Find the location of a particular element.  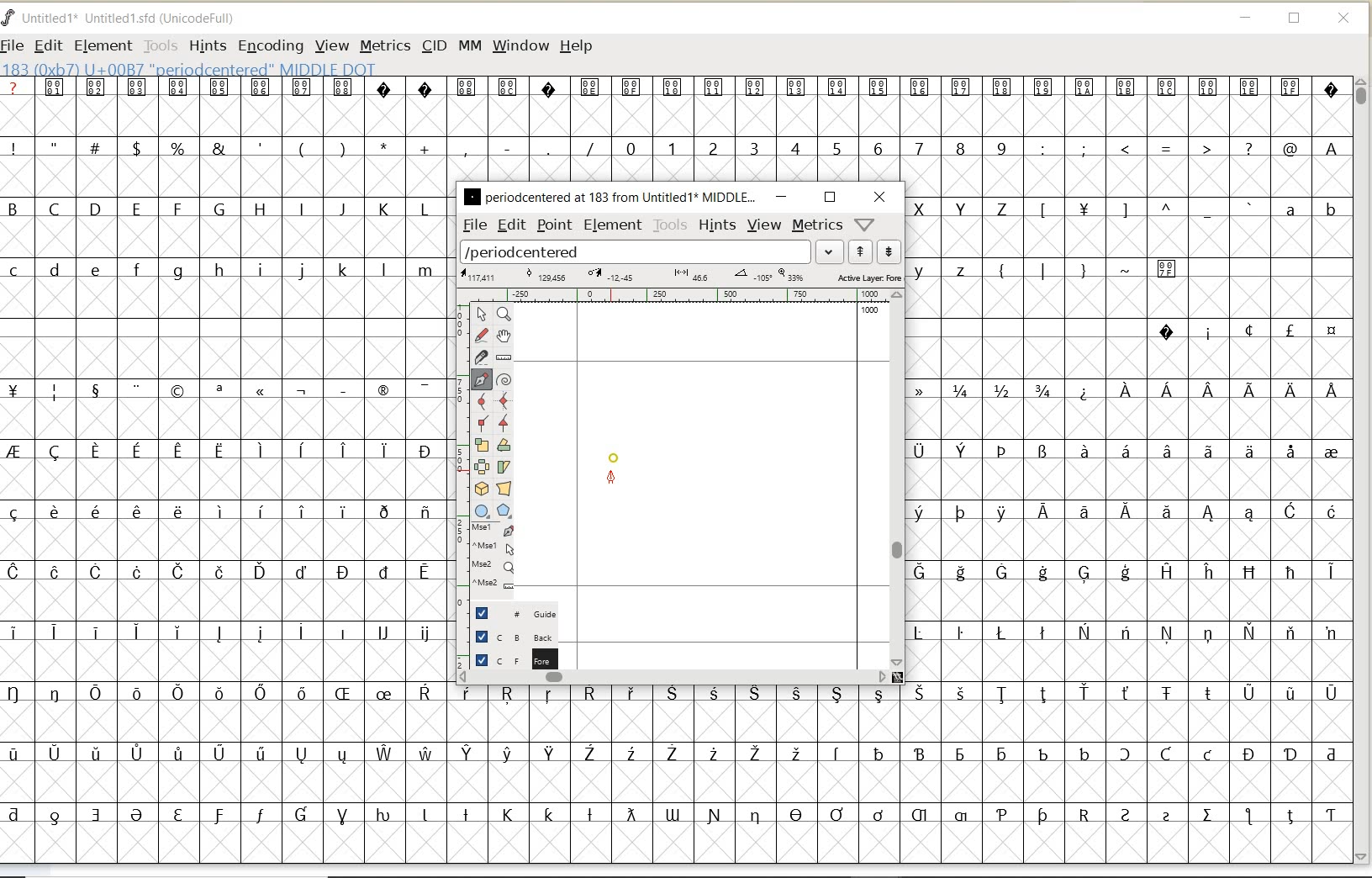

add a point, then drag out its control points is located at coordinates (482, 378).